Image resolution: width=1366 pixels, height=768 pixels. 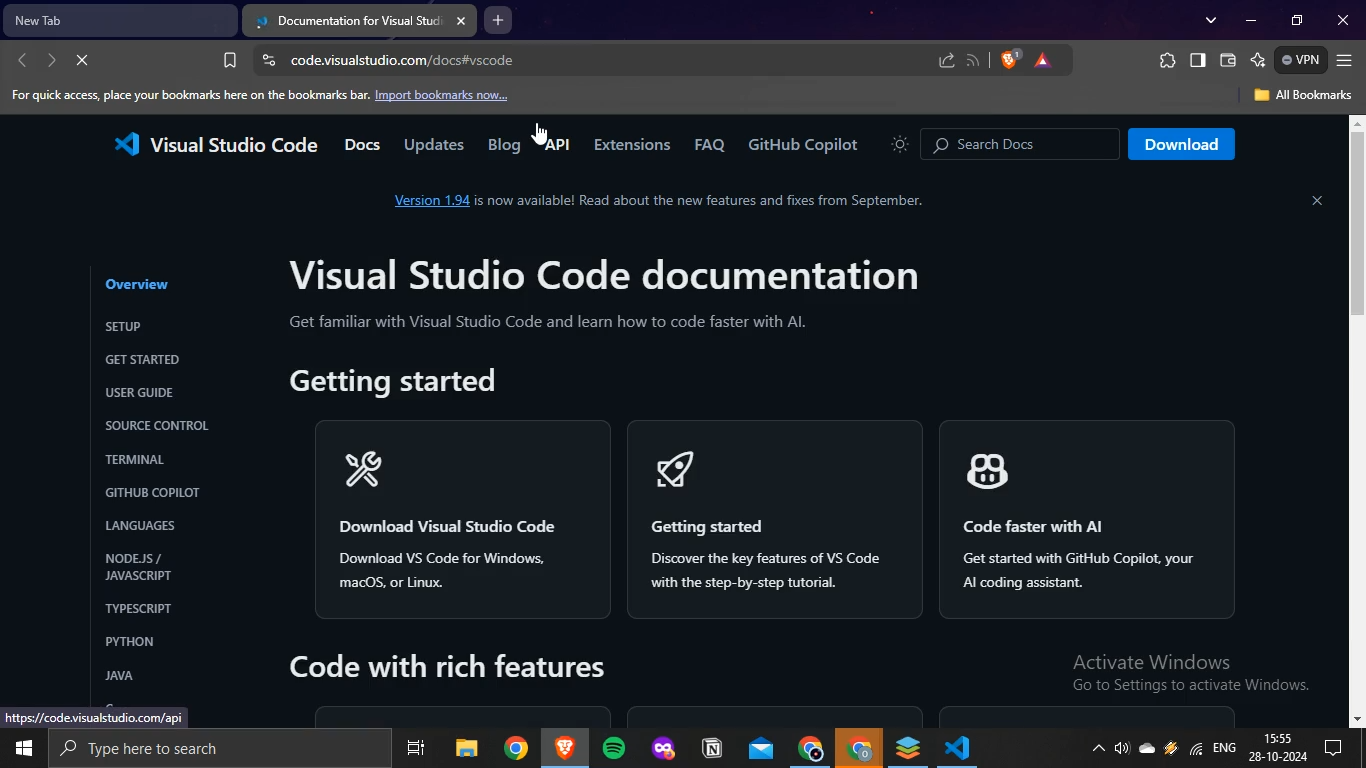 What do you see at coordinates (1171, 752) in the screenshot?
I see `winamp agent` at bounding box center [1171, 752].